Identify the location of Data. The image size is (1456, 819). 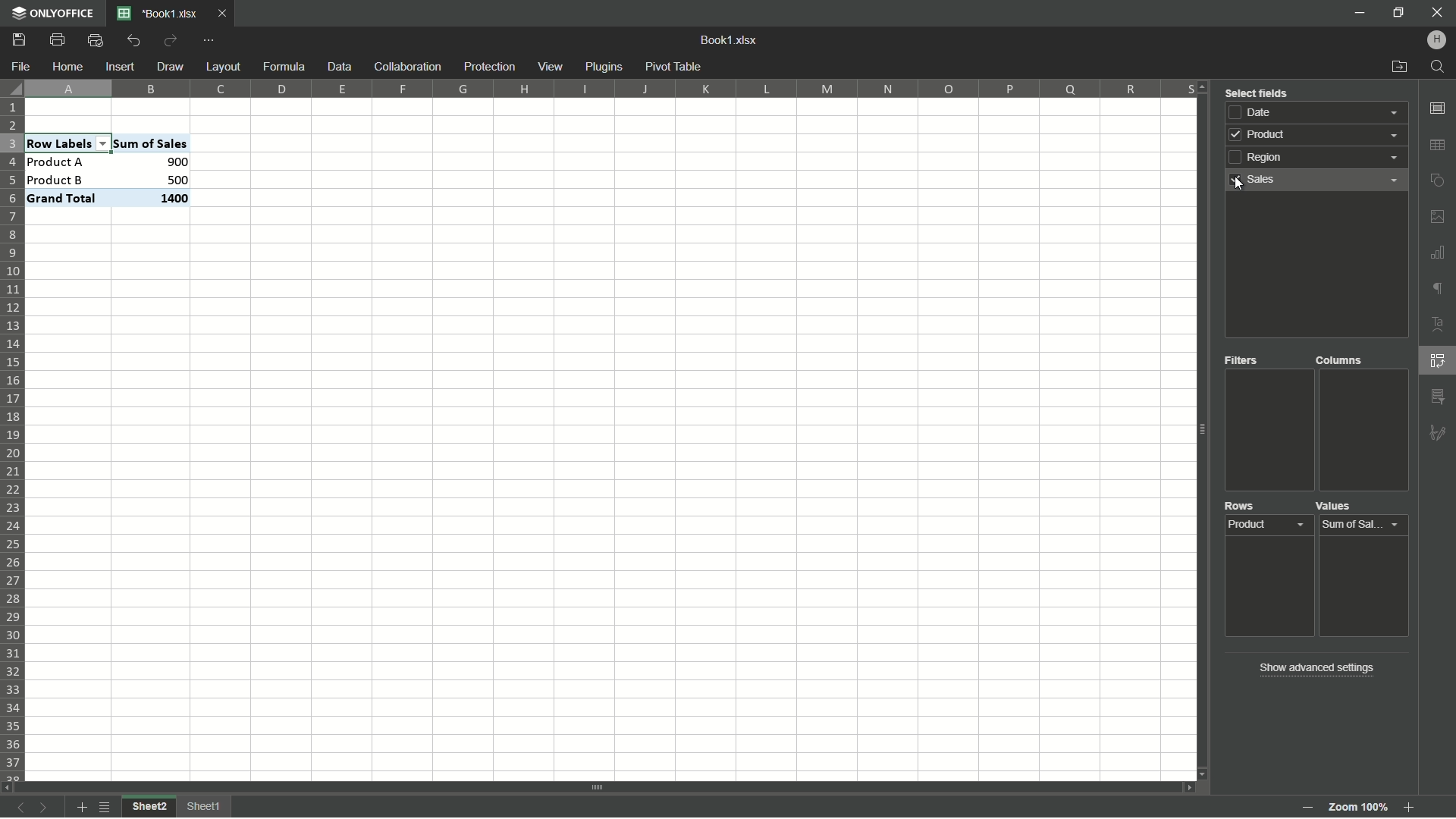
(337, 66).